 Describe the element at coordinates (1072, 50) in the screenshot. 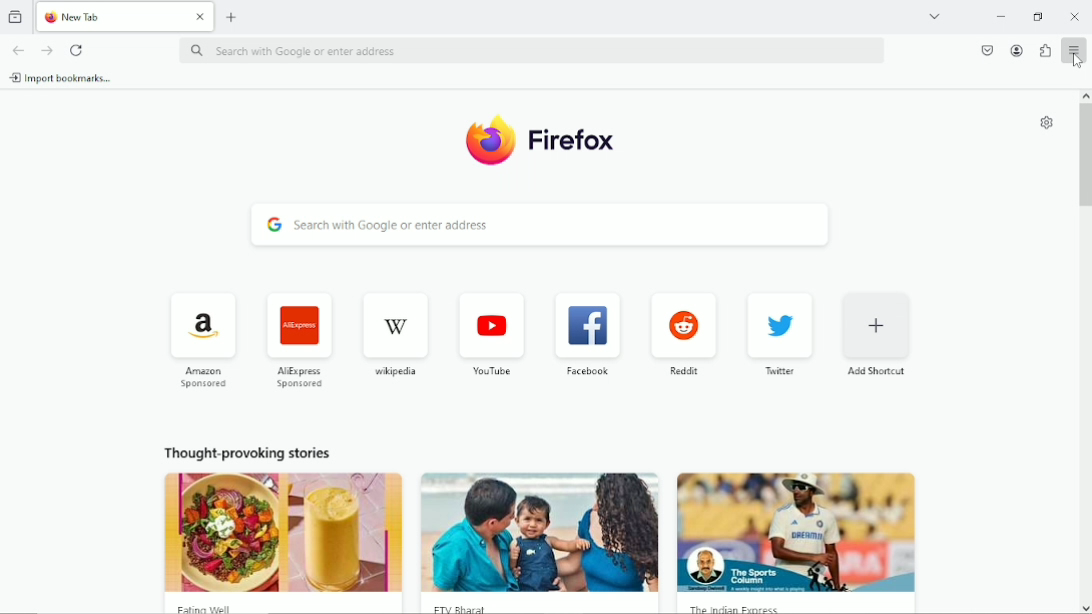

I see `open application menu` at that location.